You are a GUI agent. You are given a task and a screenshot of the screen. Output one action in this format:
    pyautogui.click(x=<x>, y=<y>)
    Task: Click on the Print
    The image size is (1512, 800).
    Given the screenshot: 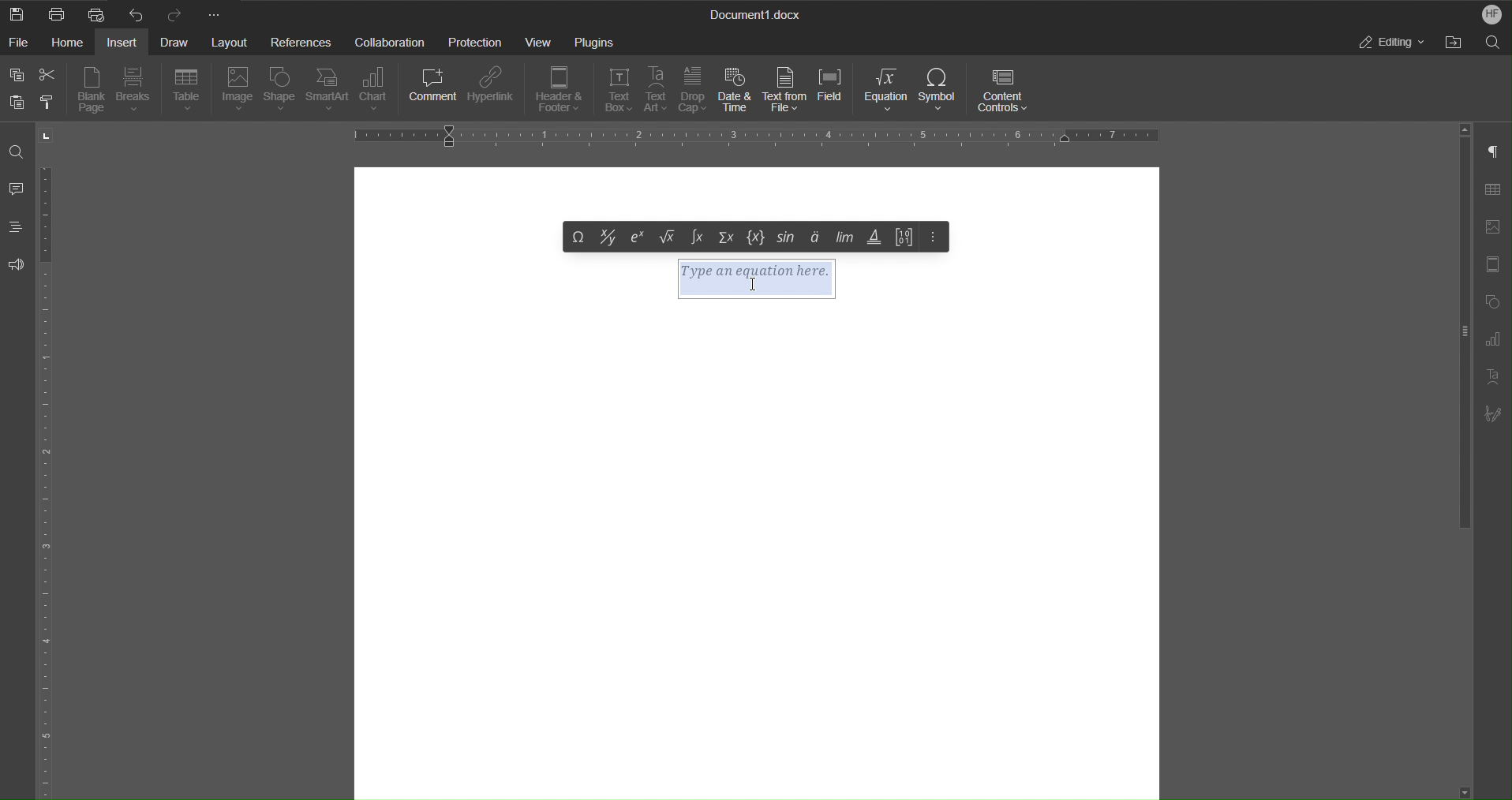 What is the action you would take?
    pyautogui.click(x=59, y=15)
    